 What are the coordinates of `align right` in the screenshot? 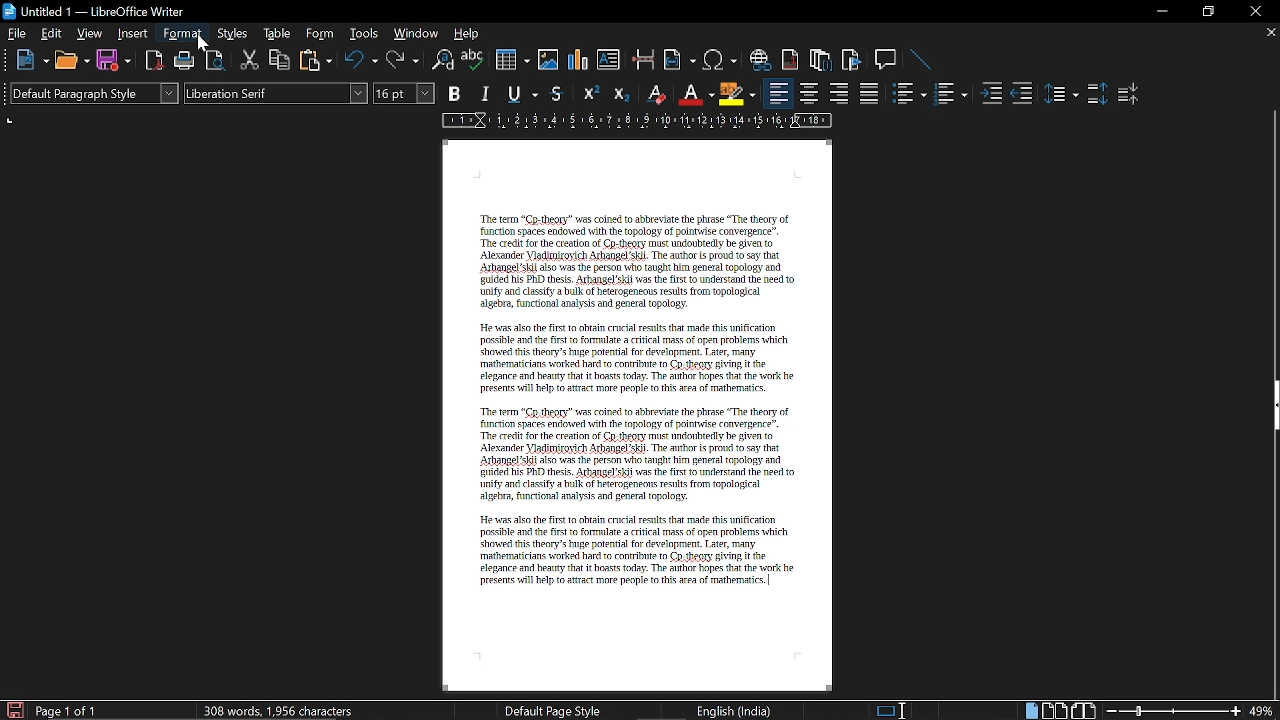 It's located at (839, 92).